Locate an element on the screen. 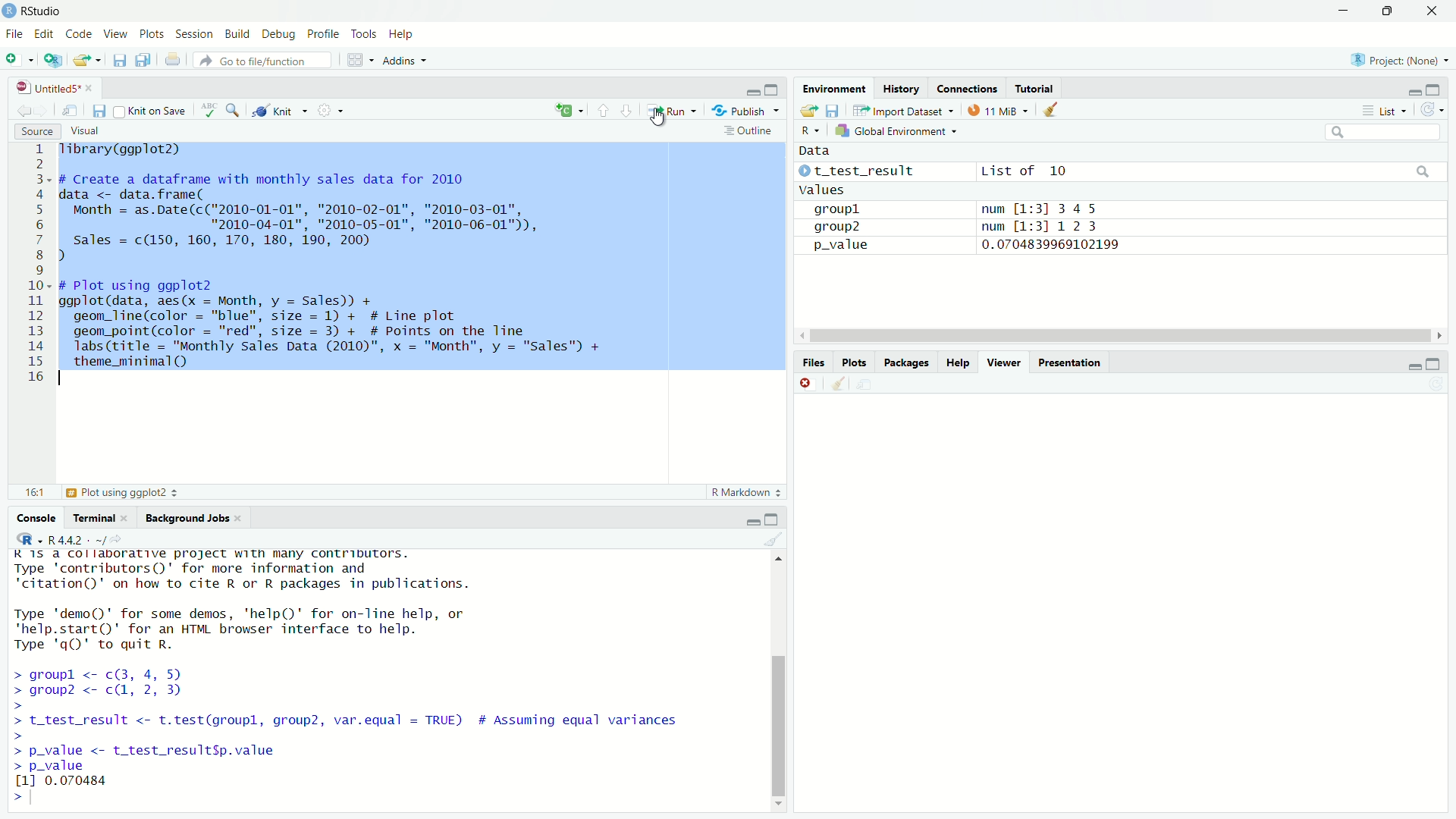 Image resolution: width=1456 pixels, height=819 pixels. Connections. is located at coordinates (967, 88).